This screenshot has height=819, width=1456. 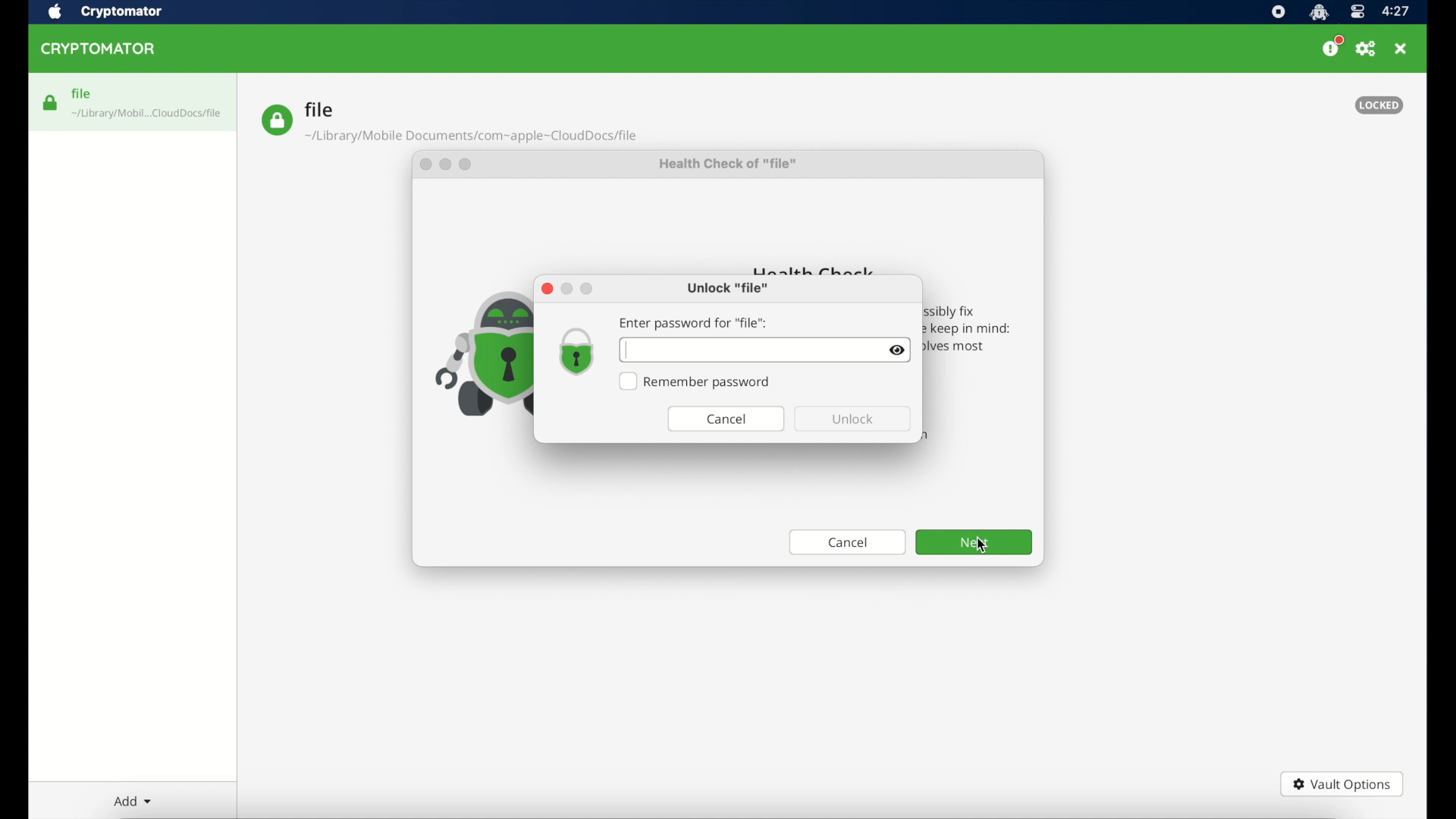 What do you see at coordinates (1342, 784) in the screenshot?
I see `vault options` at bounding box center [1342, 784].